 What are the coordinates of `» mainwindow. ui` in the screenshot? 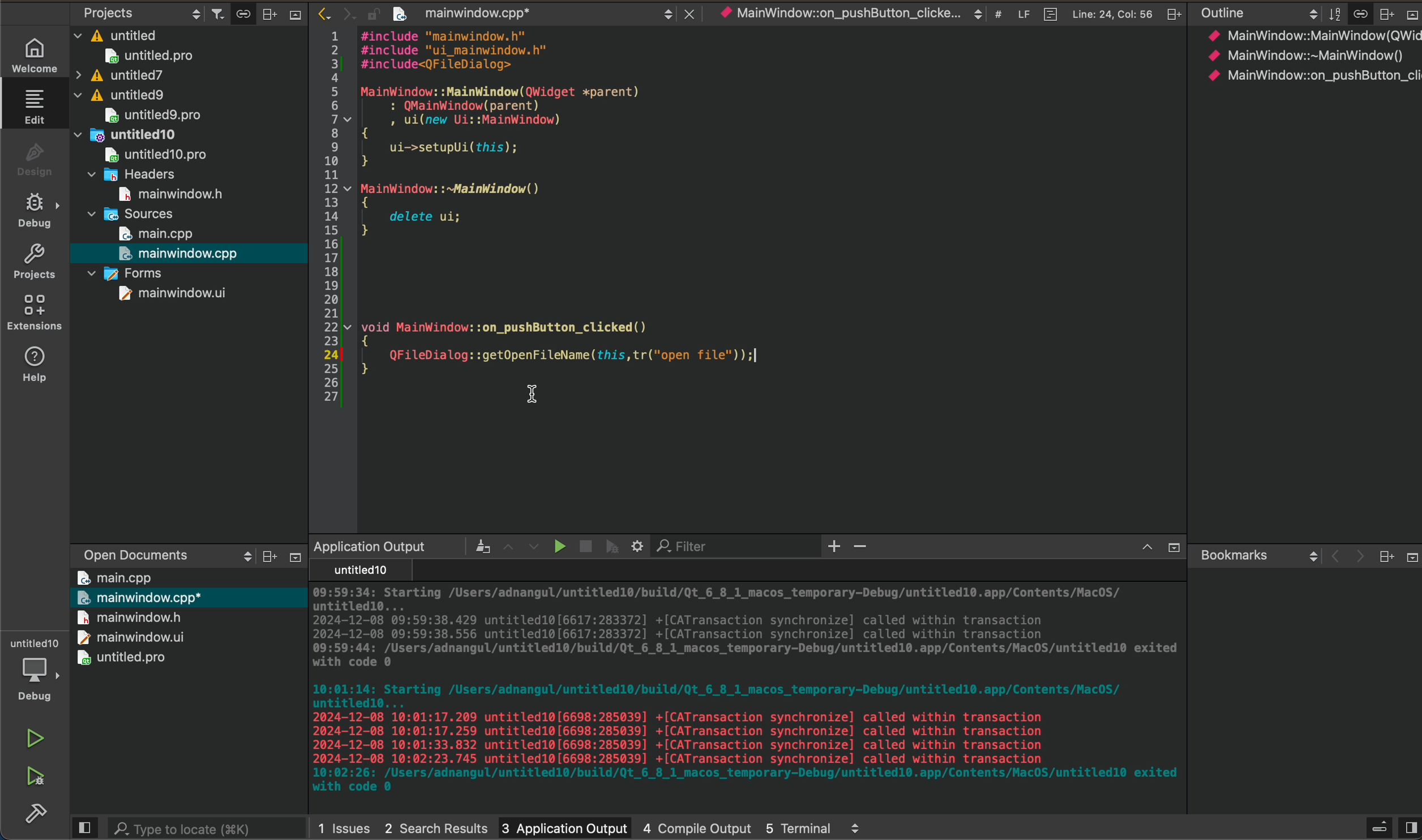 It's located at (127, 636).